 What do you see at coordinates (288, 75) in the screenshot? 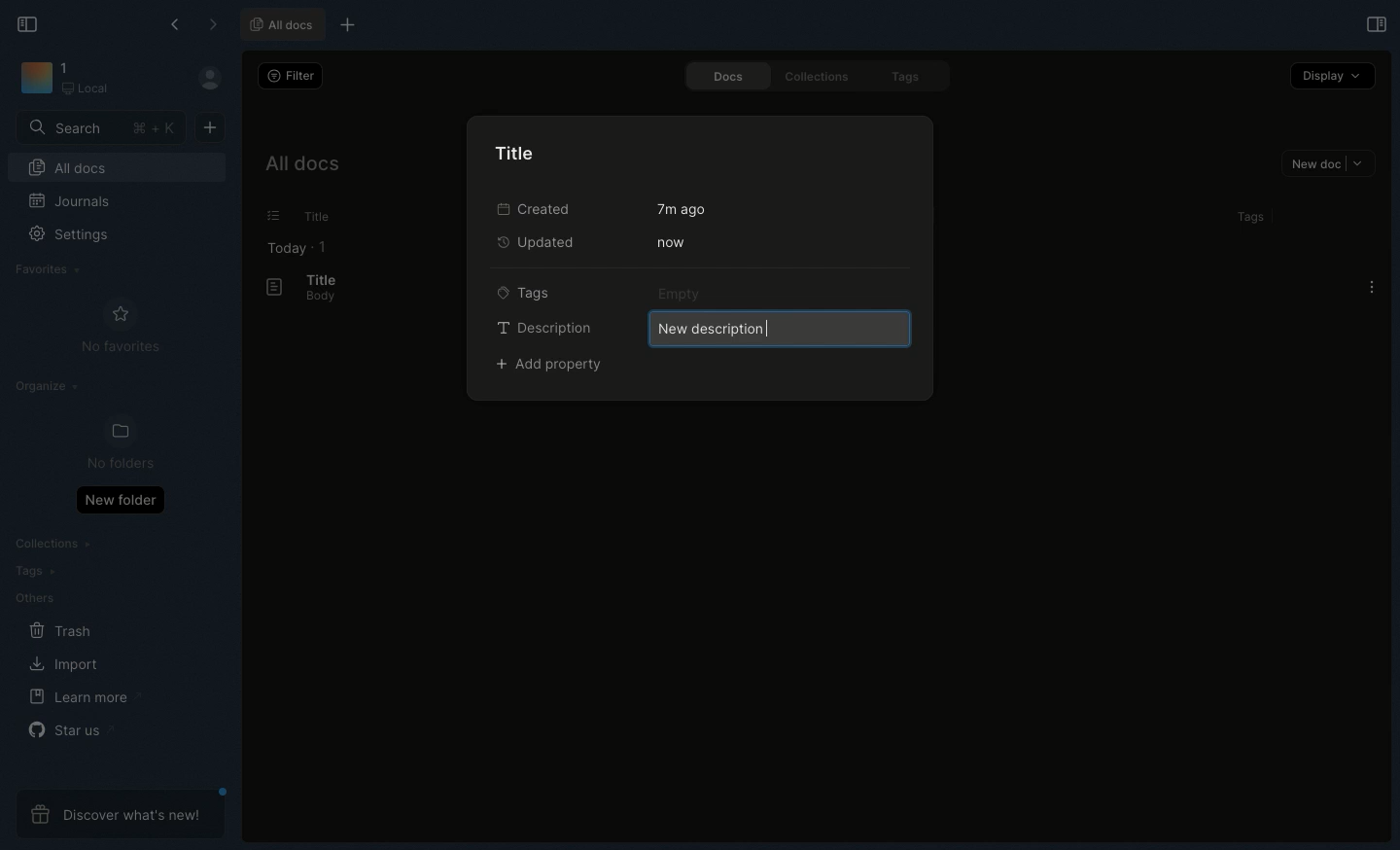
I see `Filter` at bounding box center [288, 75].